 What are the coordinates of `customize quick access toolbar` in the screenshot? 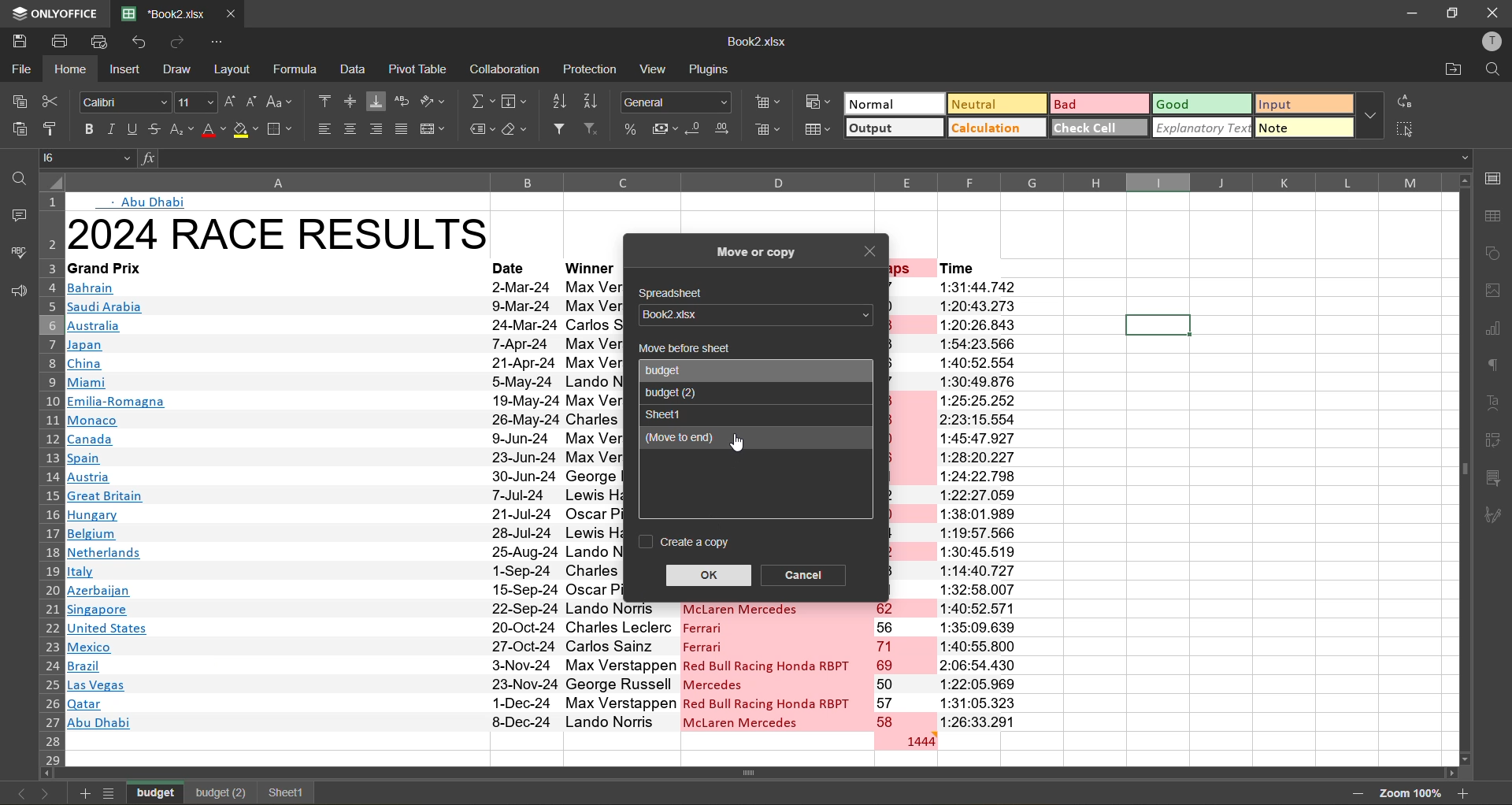 It's located at (217, 42).